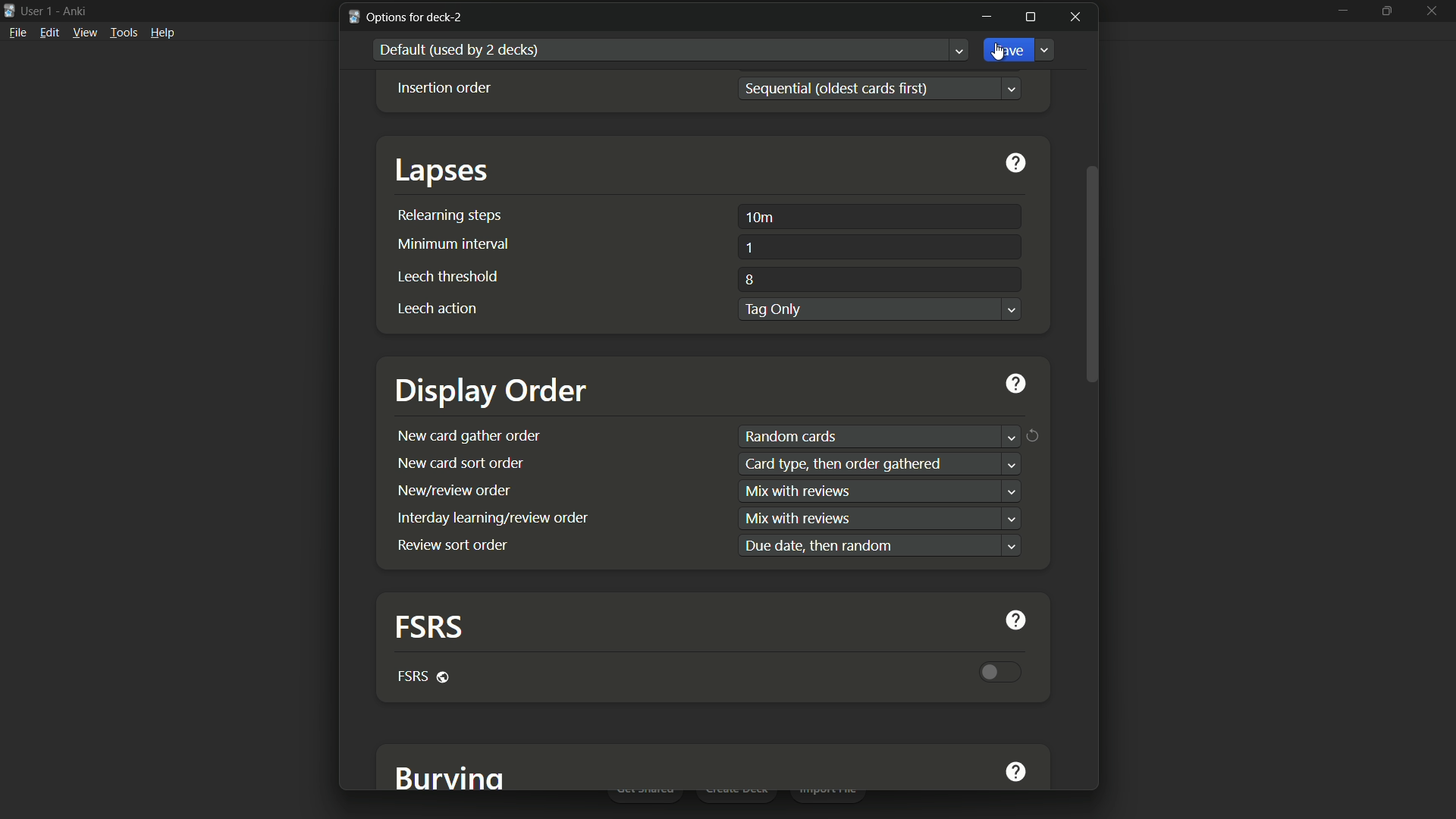 The image size is (1456, 819). Describe the element at coordinates (1012, 773) in the screenshot. I see `get help` at that location.